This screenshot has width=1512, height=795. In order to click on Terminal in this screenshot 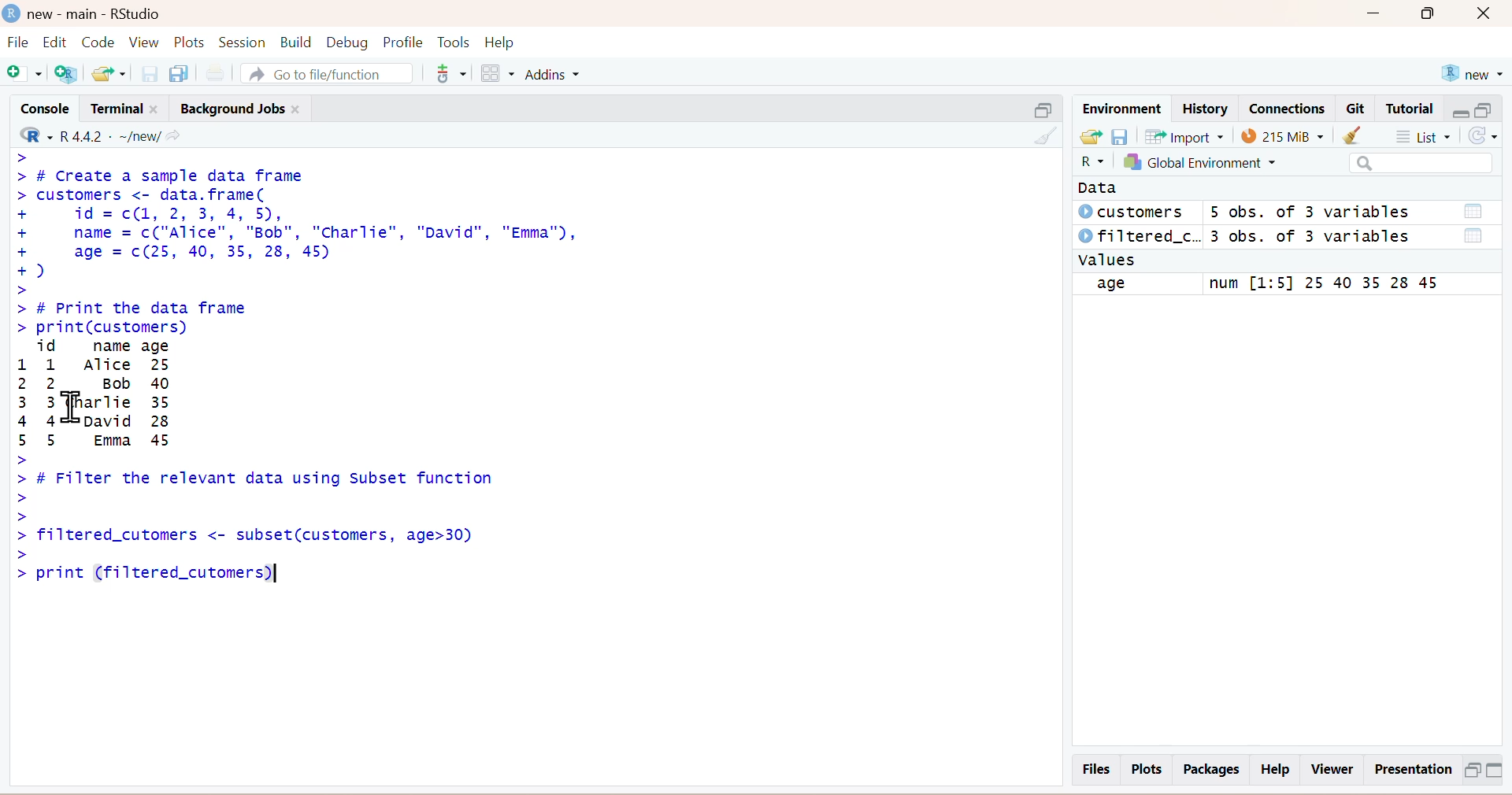, I will do `click(122, 106)`.